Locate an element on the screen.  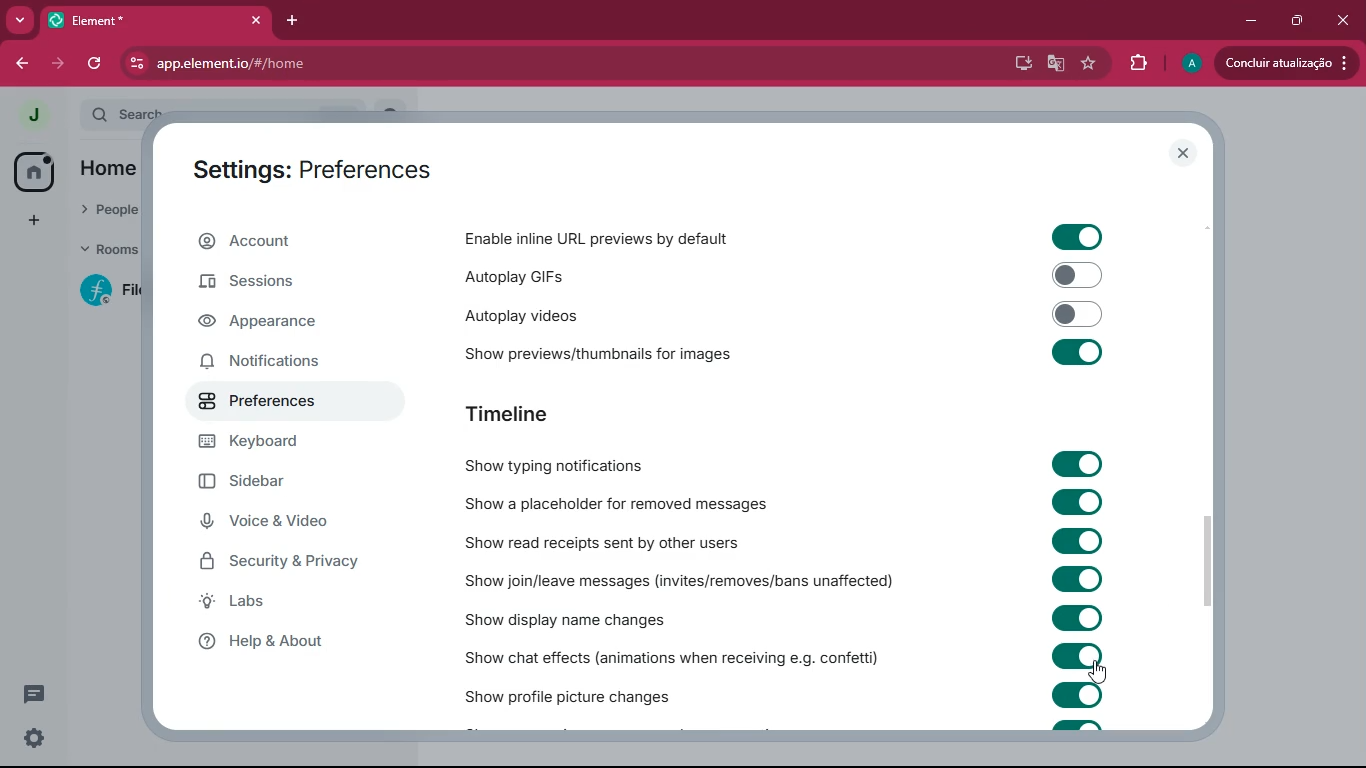
forward is located at coordinates (60, 64).